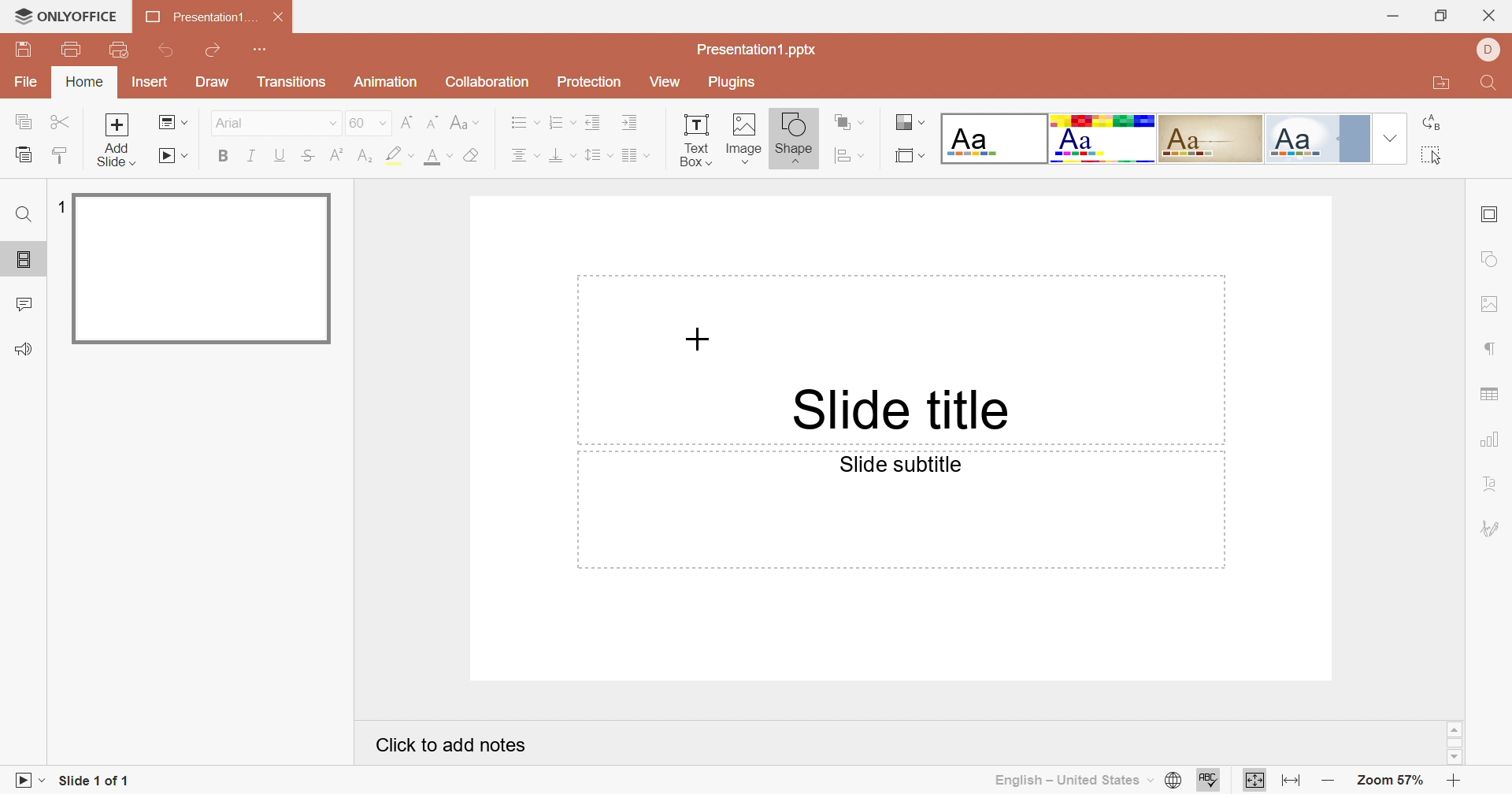 This screenshot has width=1512, height=794. Describe the element at coordinates (1441, 80) in the screenshot. I see `Open file location` at that location.